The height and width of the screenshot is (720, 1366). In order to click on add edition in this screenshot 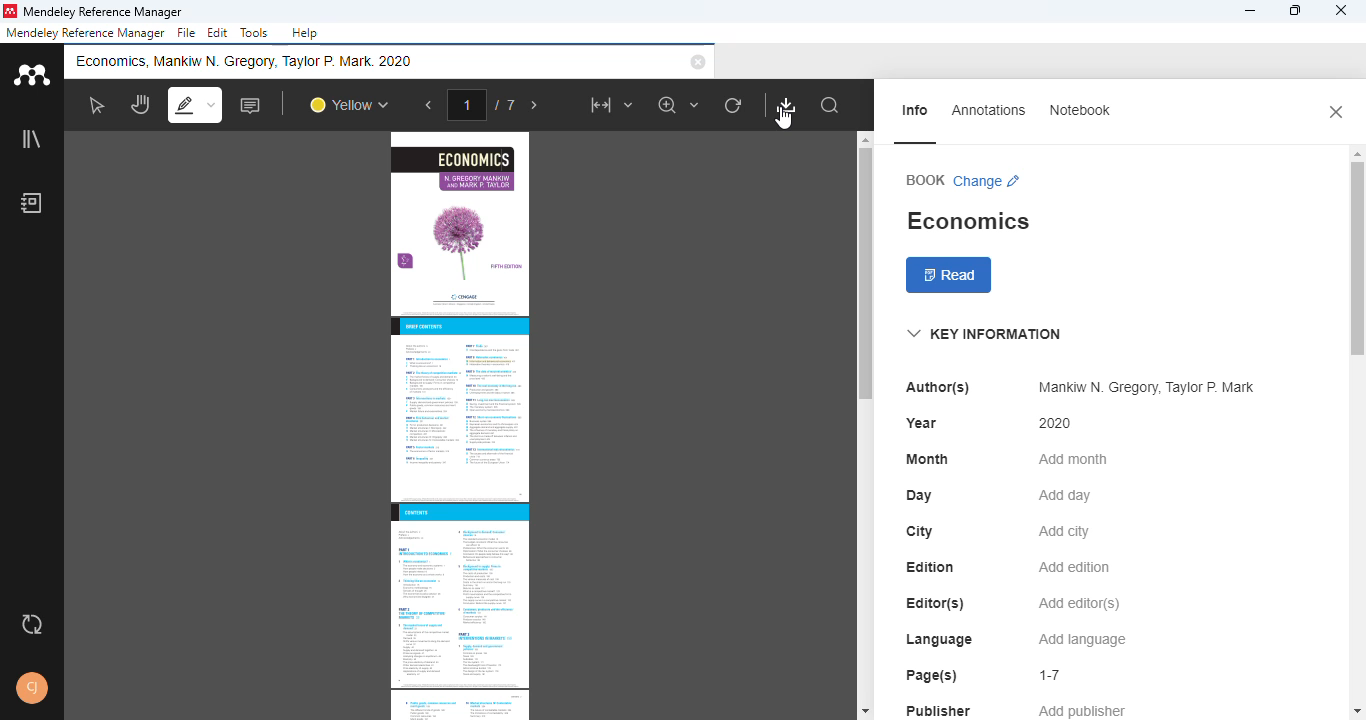, I will do `click(1075, 567)`.